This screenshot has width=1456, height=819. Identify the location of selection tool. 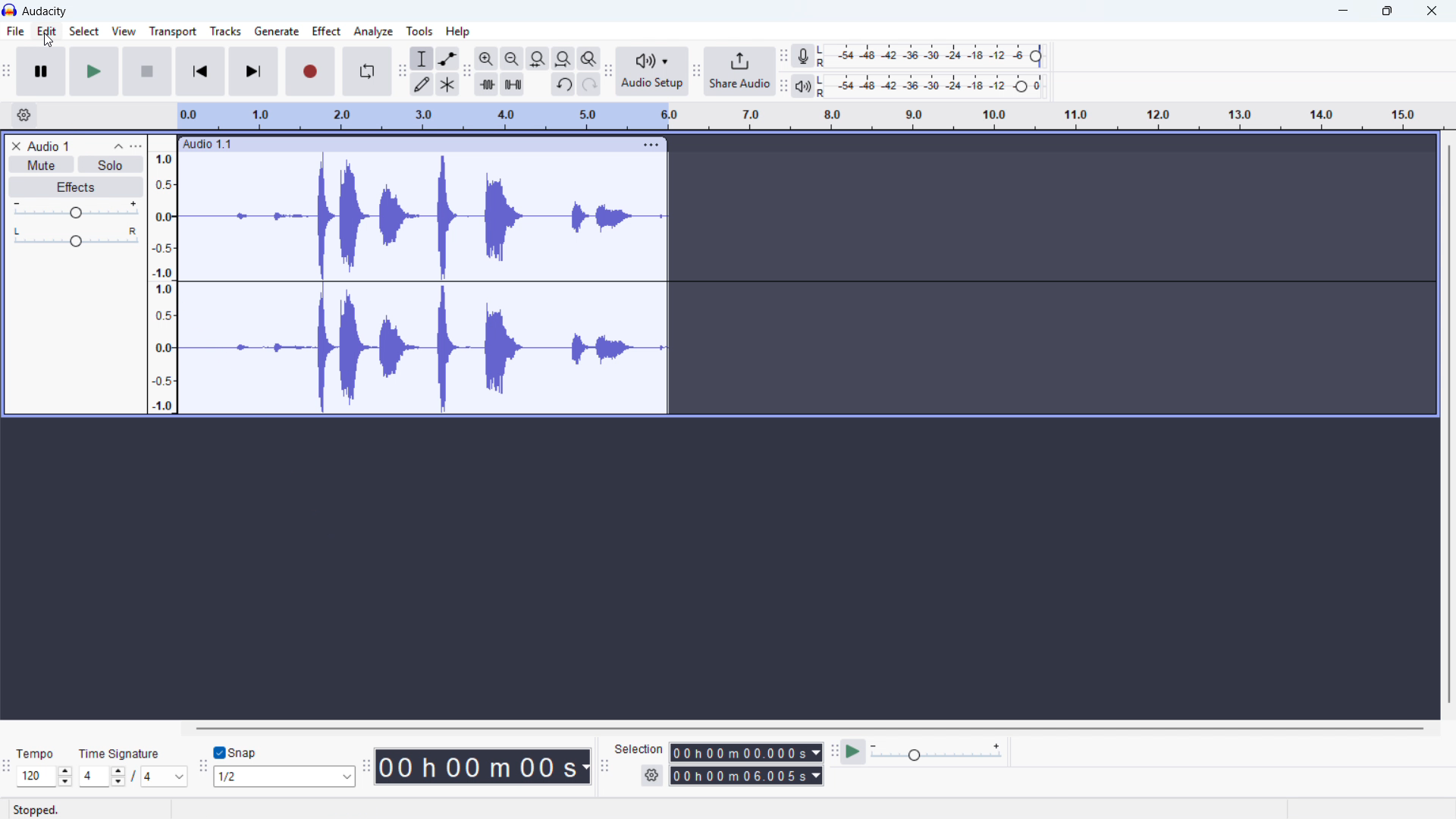
(422, 58).